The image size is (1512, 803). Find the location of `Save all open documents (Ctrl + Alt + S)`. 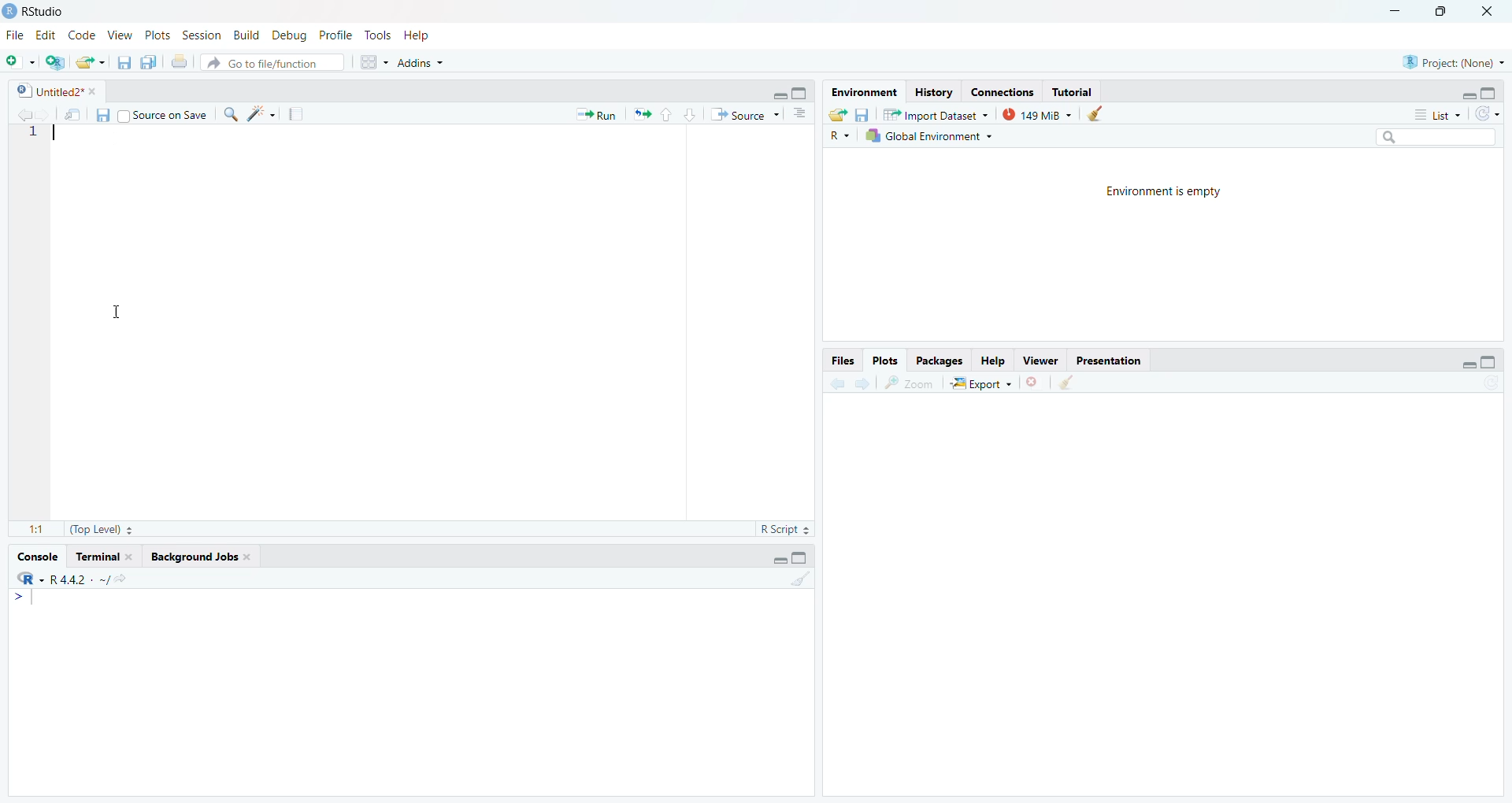

Save all open documents (Ctrl + Alt + S) is located at coordinates (147, 63).